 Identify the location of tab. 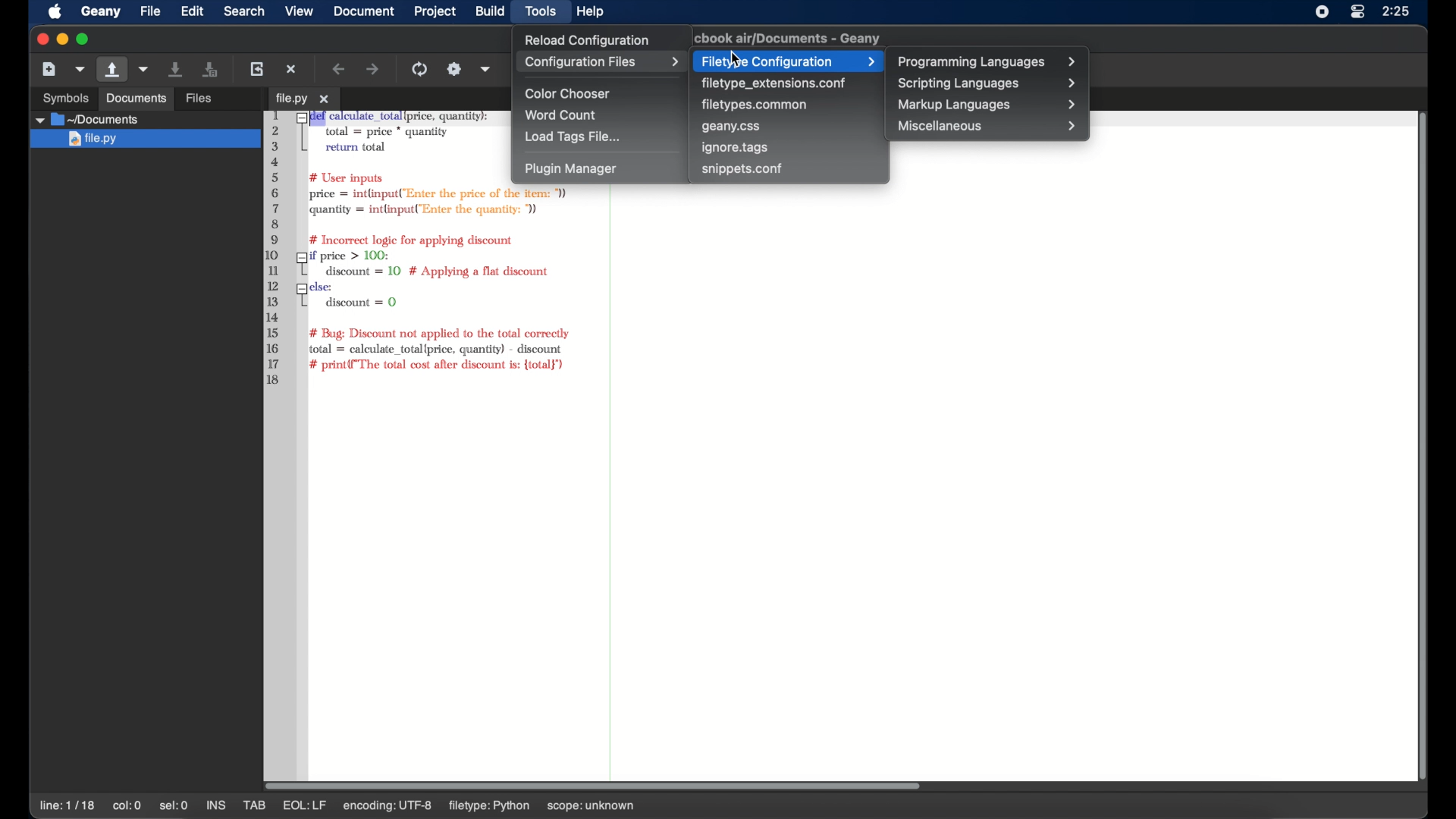
(256, 805).